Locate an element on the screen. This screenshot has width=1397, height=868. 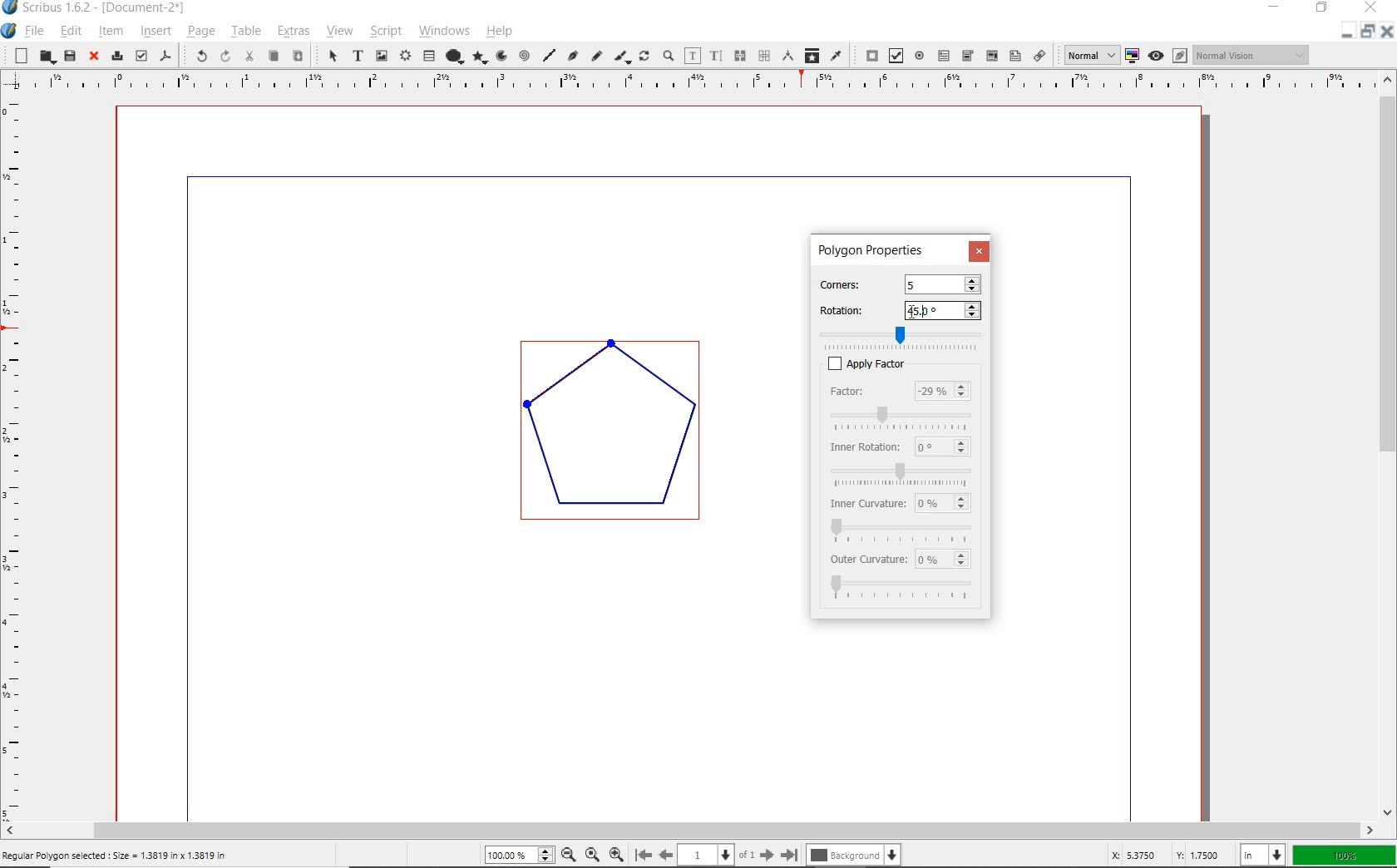
pdf check box is located at coordinates (894, 57).